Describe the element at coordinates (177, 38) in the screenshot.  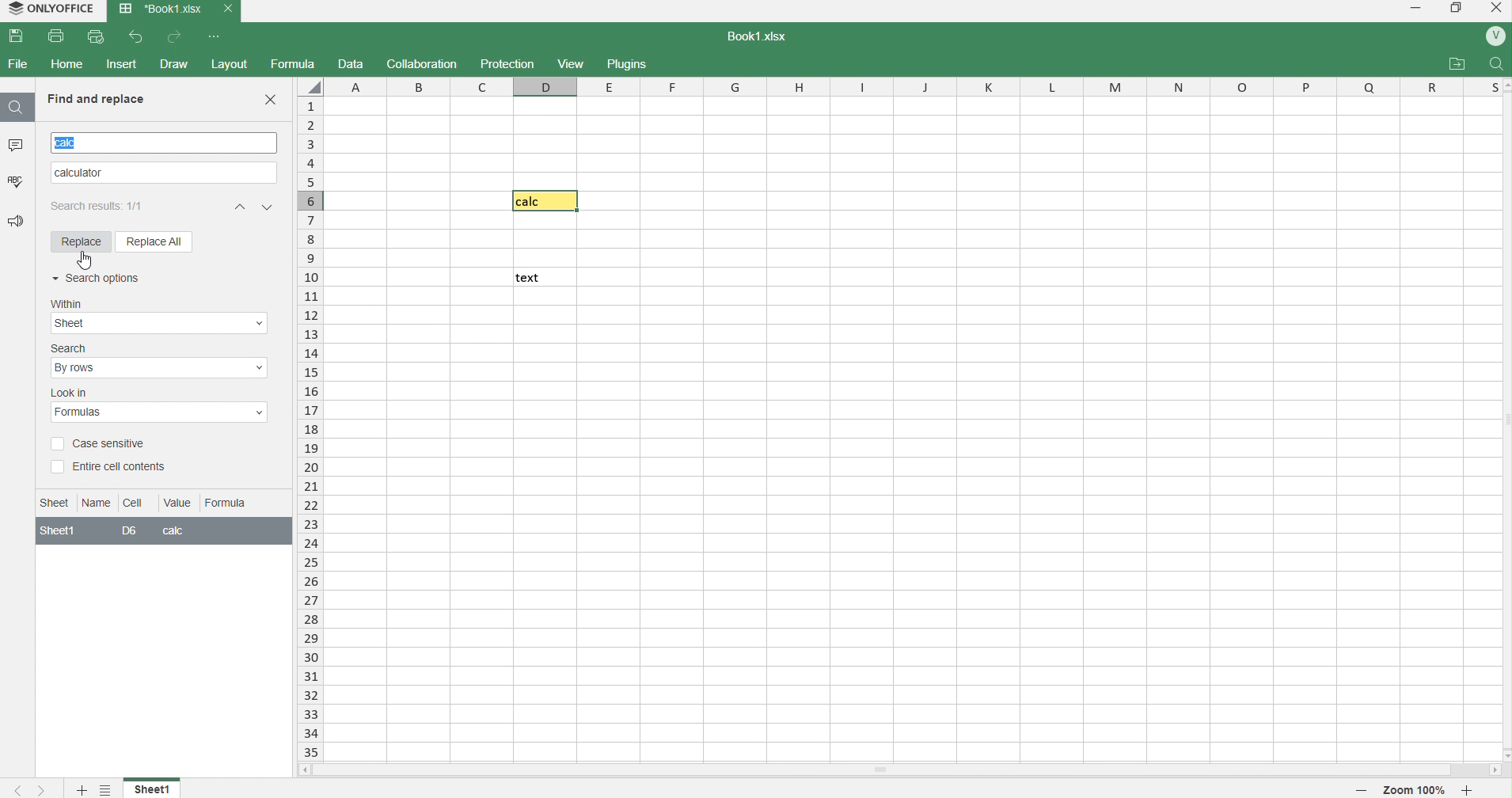
I see `redo` at that location.